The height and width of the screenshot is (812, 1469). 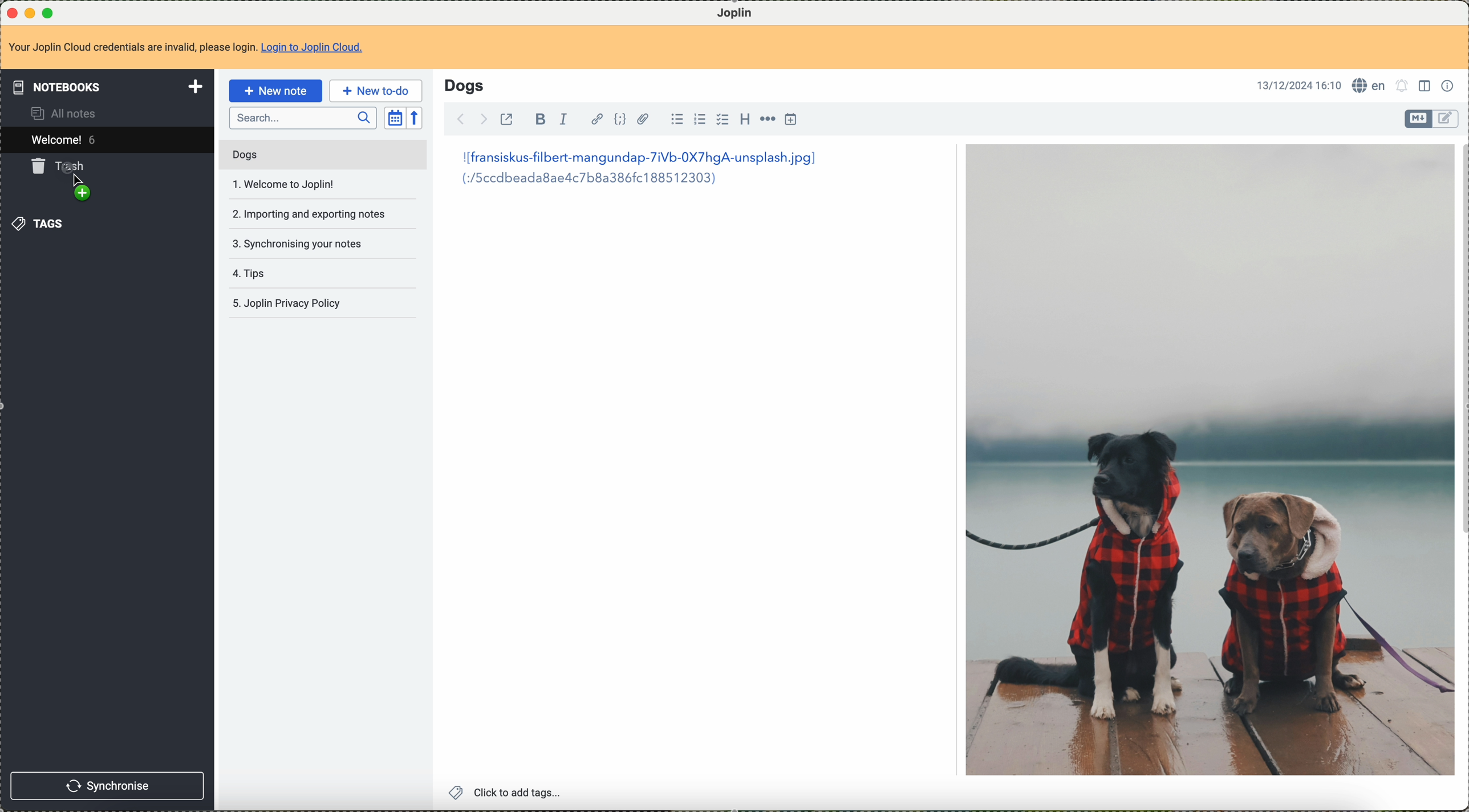 I want to click on drag to trash, so click(x=66, y=181).